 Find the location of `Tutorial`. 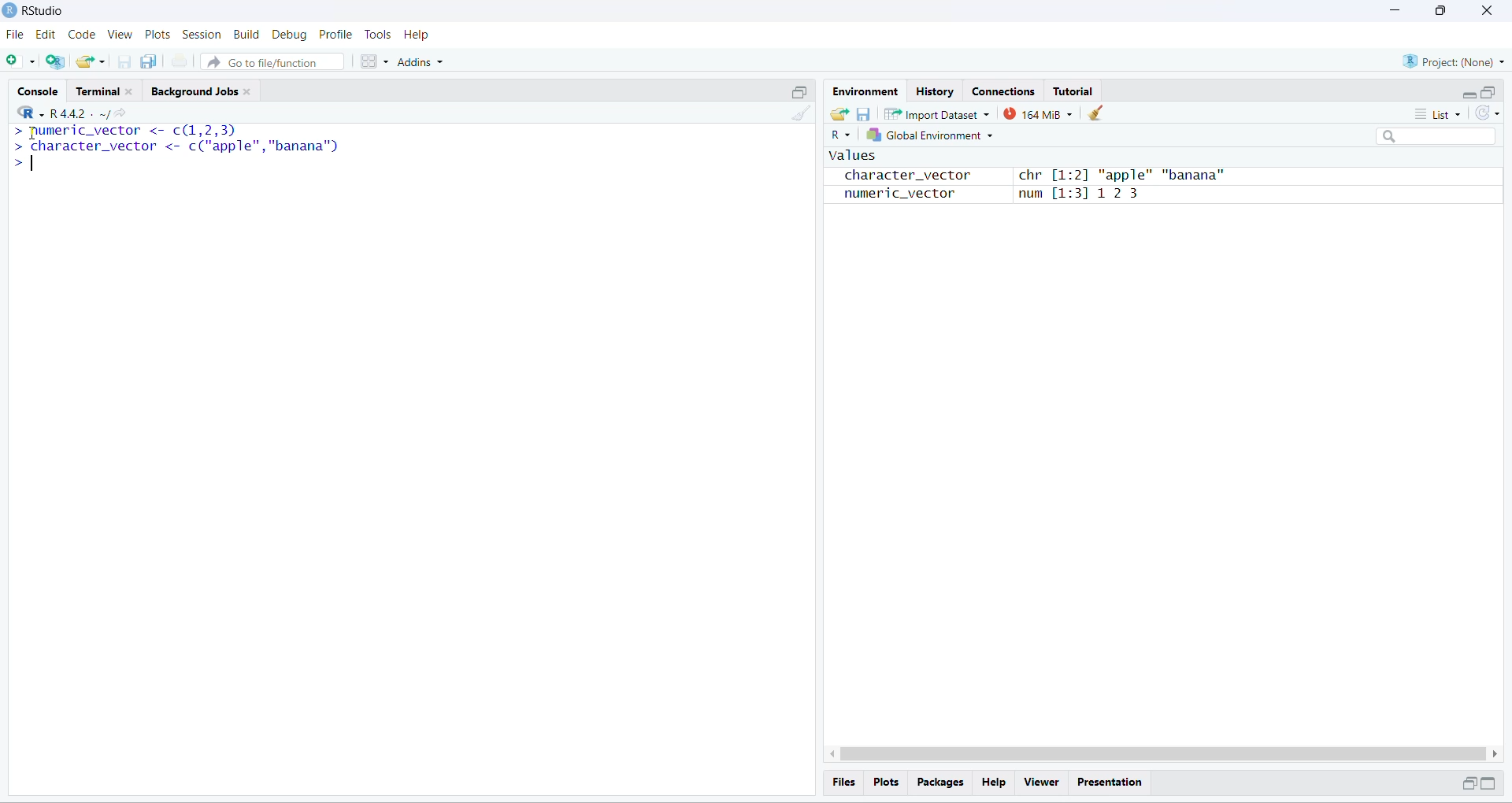

Tutorial is located at coordinates (1073, 91).